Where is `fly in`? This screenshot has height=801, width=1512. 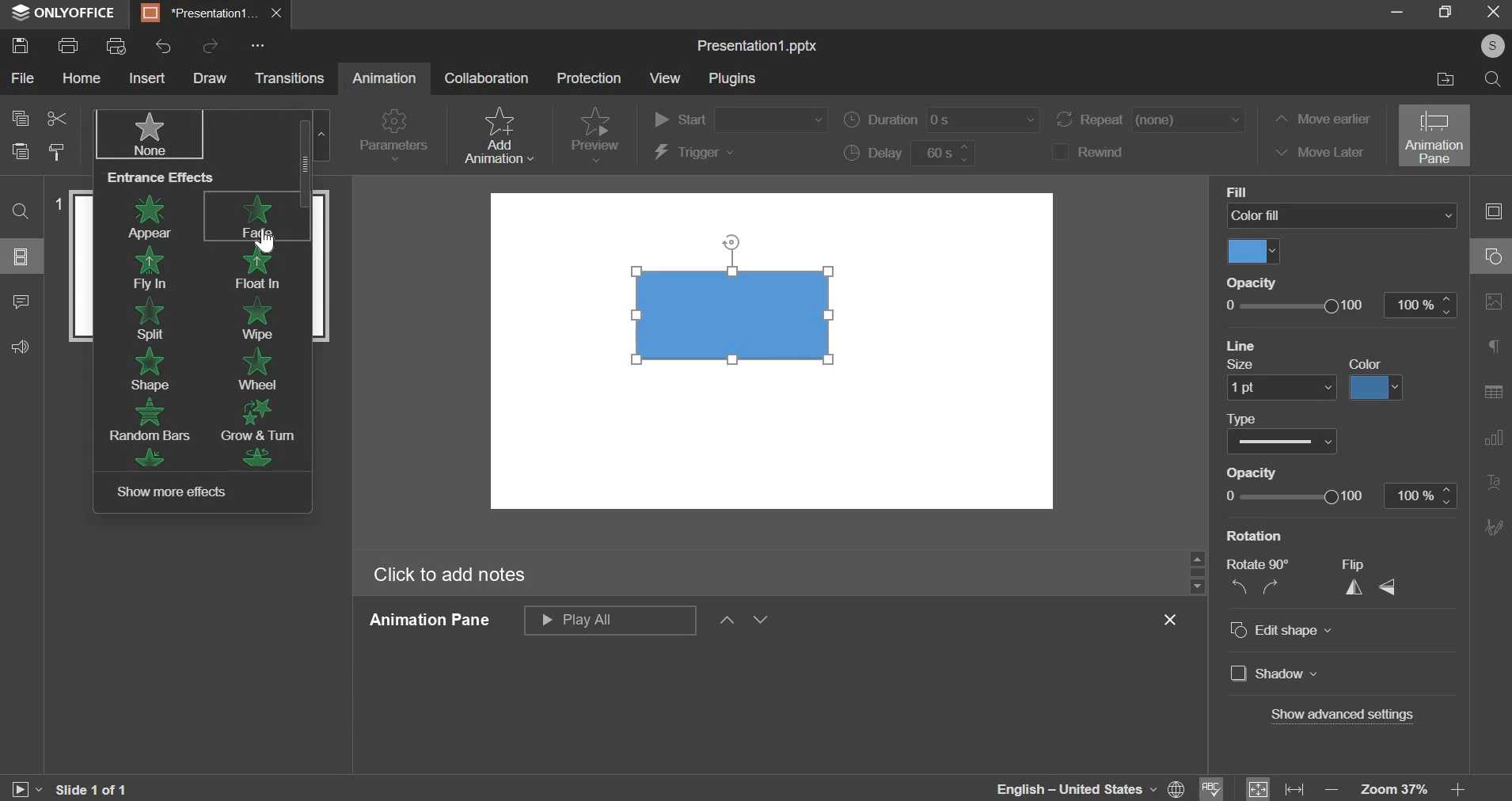 fly in is located at coordinates (152, 270).